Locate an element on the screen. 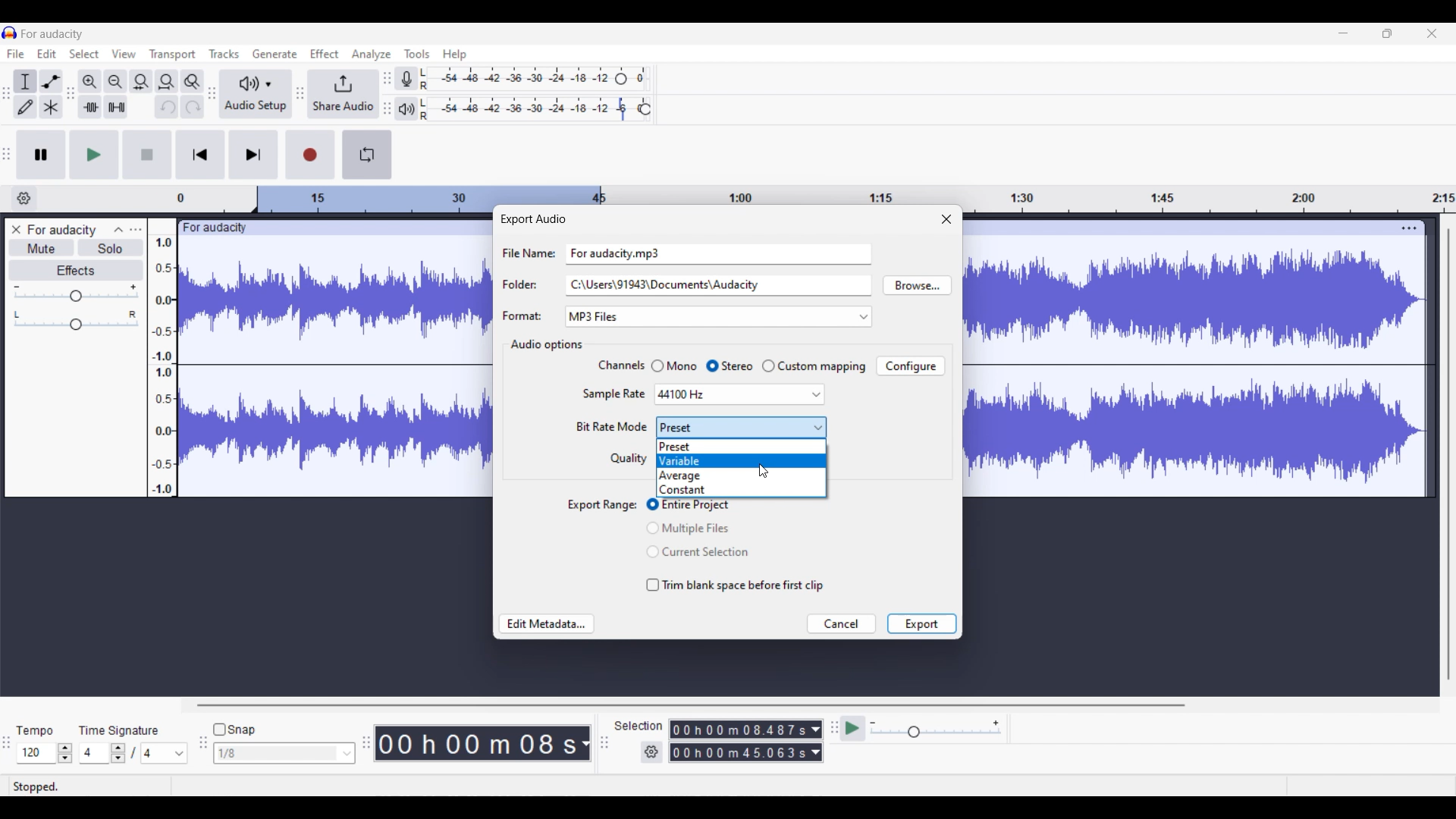 Image resolution: width=1456 pixels, height=819 pixels. Close is located at coordinates (946, 218).